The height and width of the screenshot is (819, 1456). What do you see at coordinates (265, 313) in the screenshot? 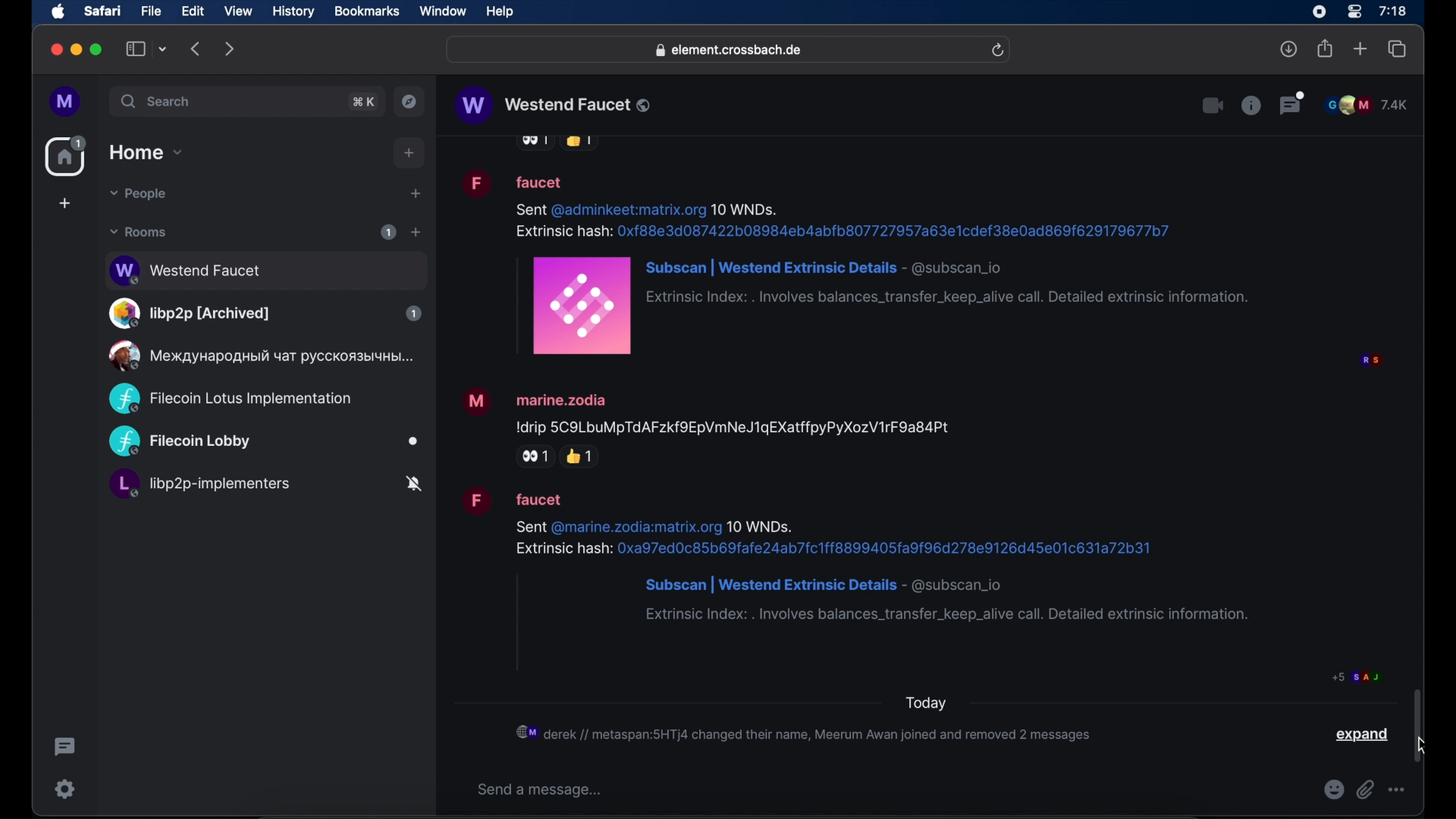
I see `public room` at bounding box center [265, 313].